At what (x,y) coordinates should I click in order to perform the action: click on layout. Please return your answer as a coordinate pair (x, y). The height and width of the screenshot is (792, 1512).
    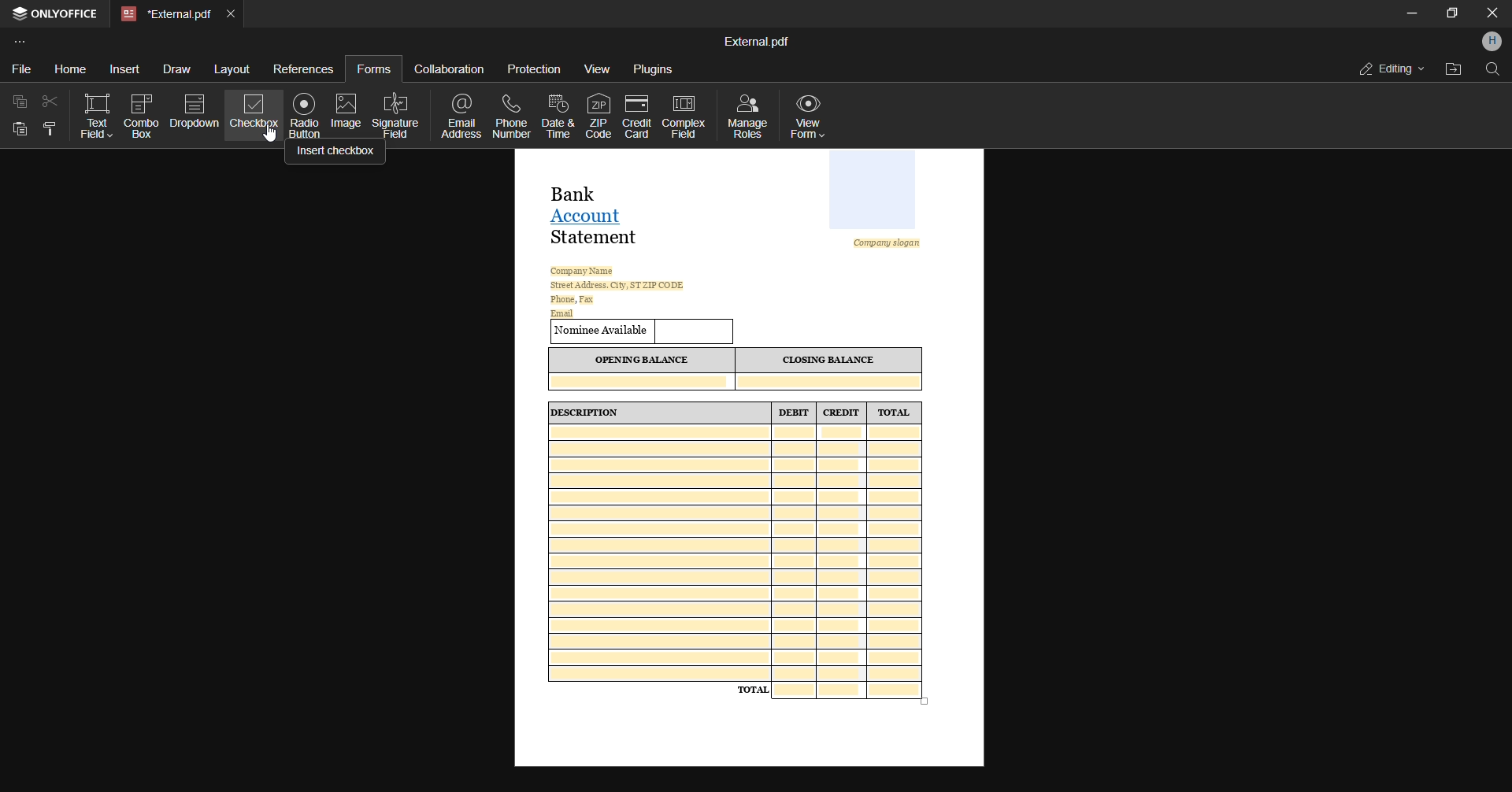
    Looking at the image, I should click on (232, 69).